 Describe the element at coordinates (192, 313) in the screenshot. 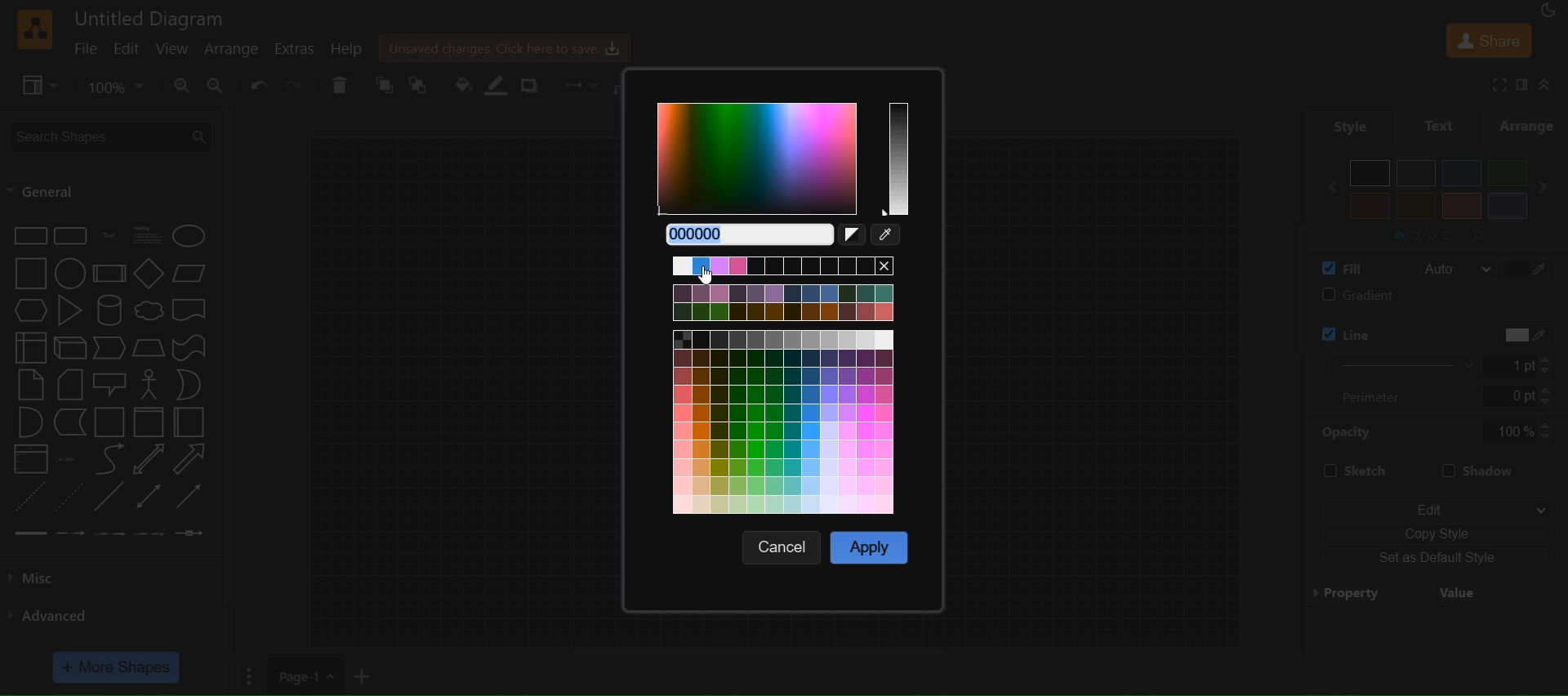

I see `document` at that location.